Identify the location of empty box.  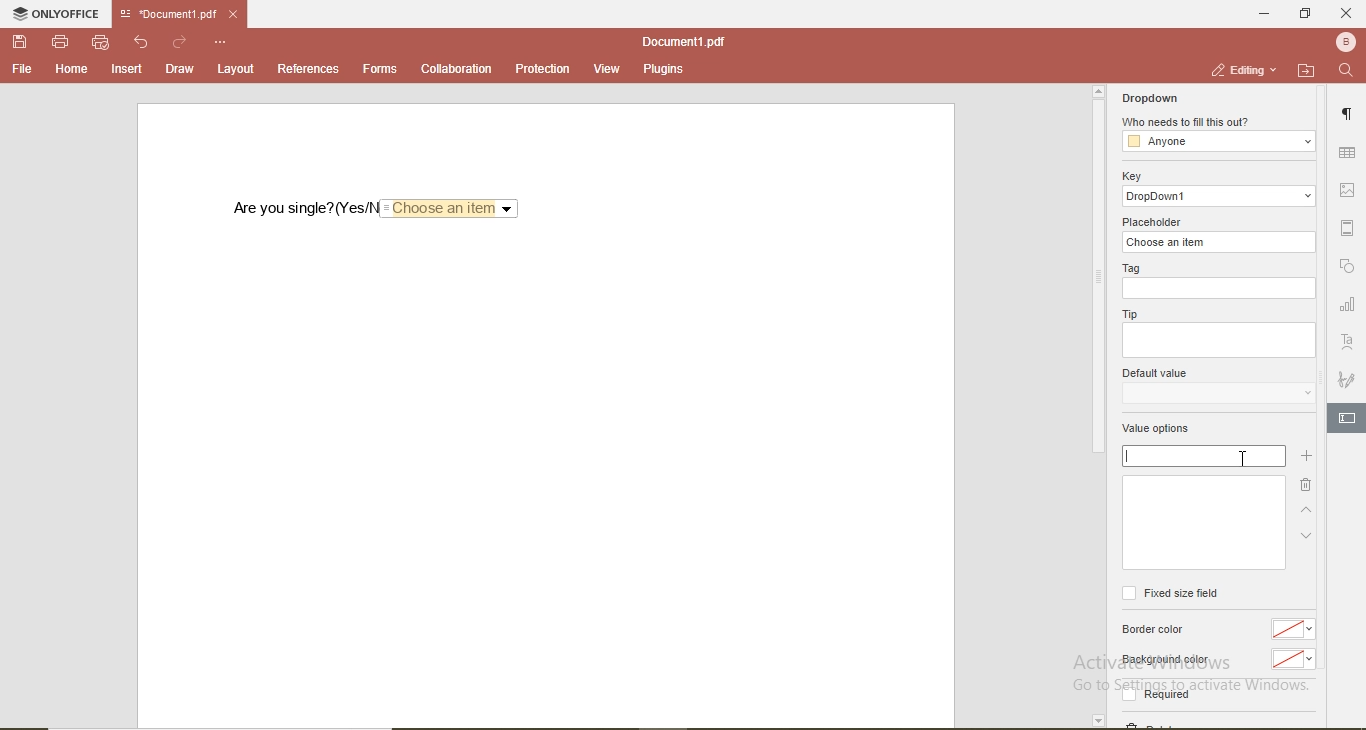
(1218, 289).